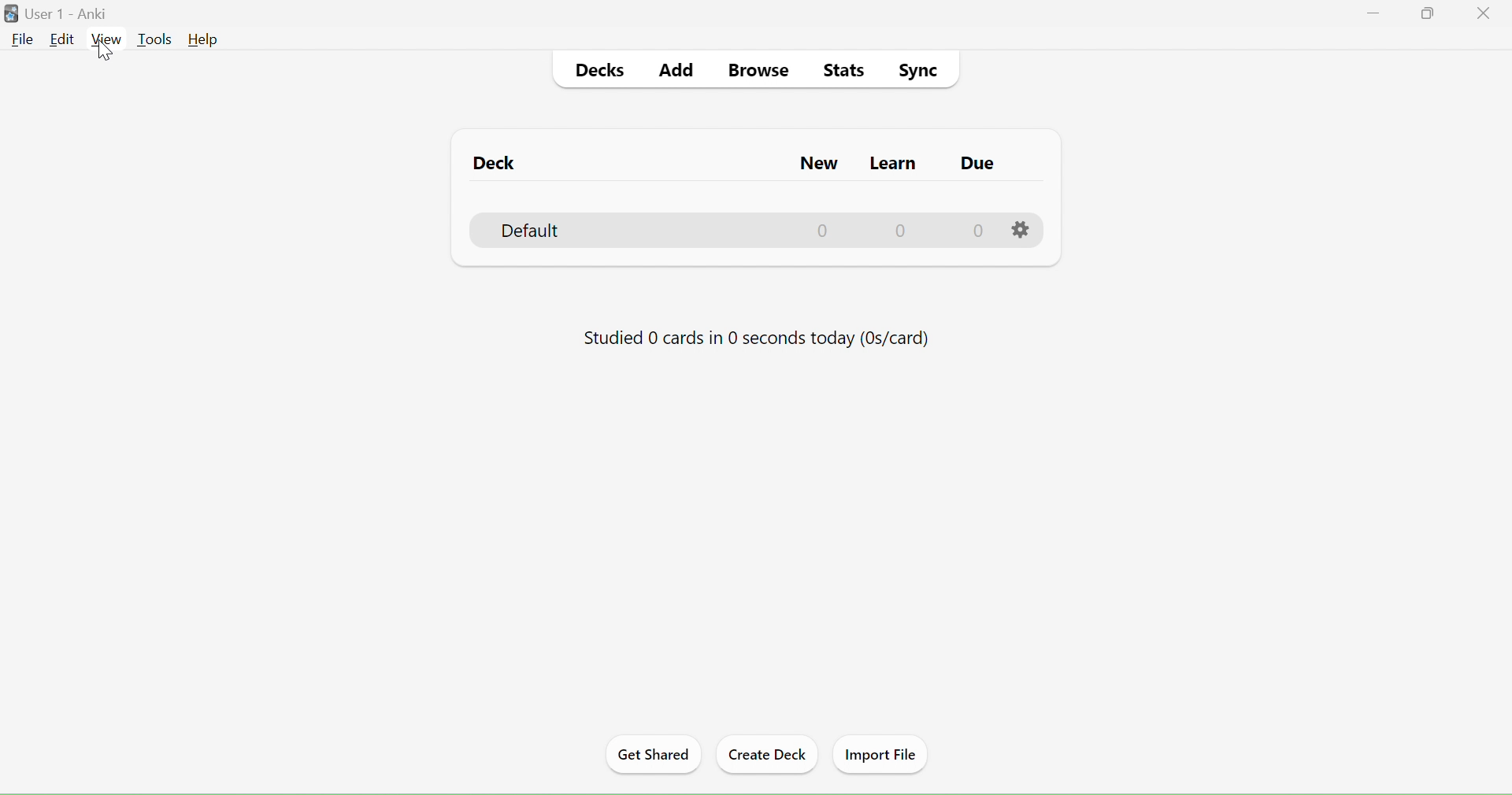 The image size is (1512, 795). Describe the element at coordinates (754, 334) in the screenshot. I see `Studied 0 cards in 0 seconds` at that location.